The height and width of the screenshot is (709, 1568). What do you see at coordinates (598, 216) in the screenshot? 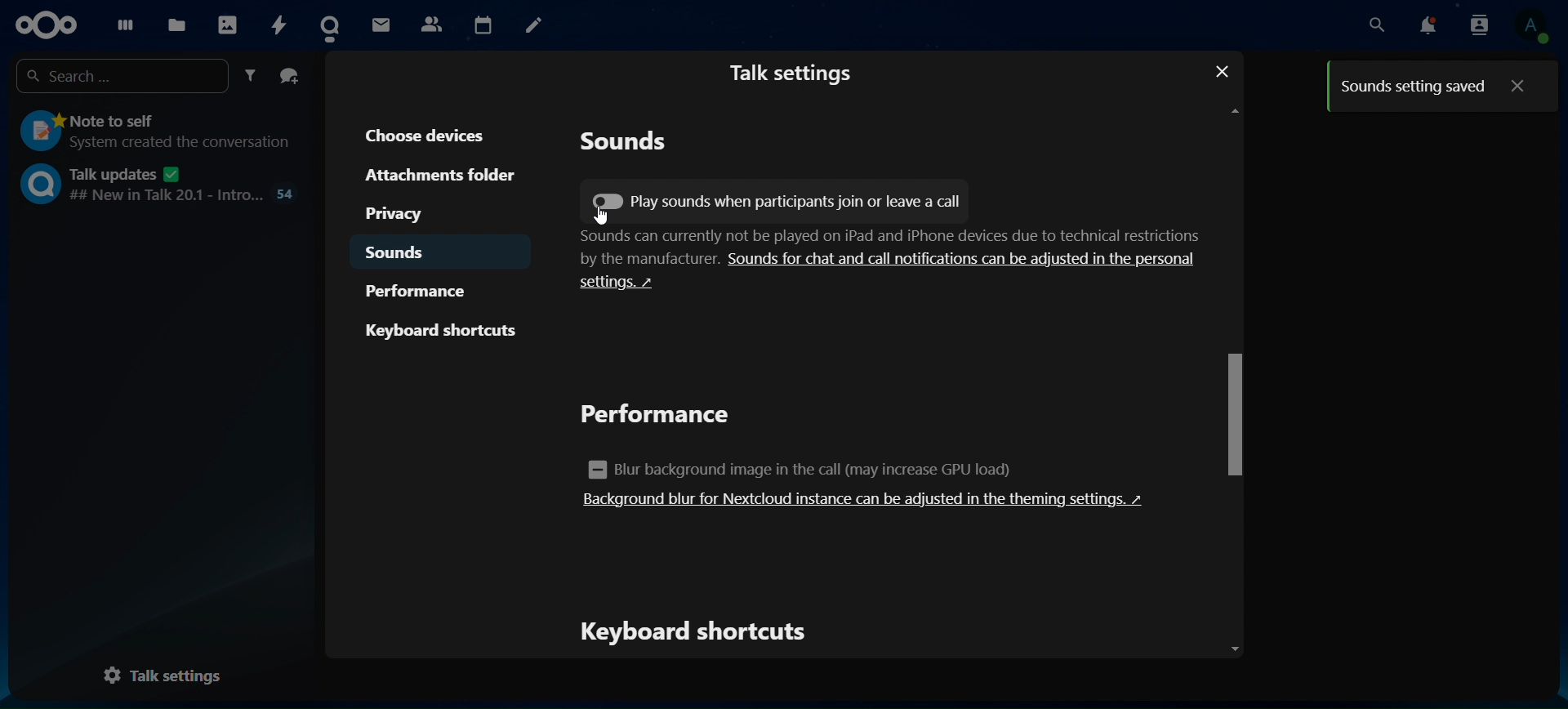
I see `Cursor` at bounding box center [598, 216].